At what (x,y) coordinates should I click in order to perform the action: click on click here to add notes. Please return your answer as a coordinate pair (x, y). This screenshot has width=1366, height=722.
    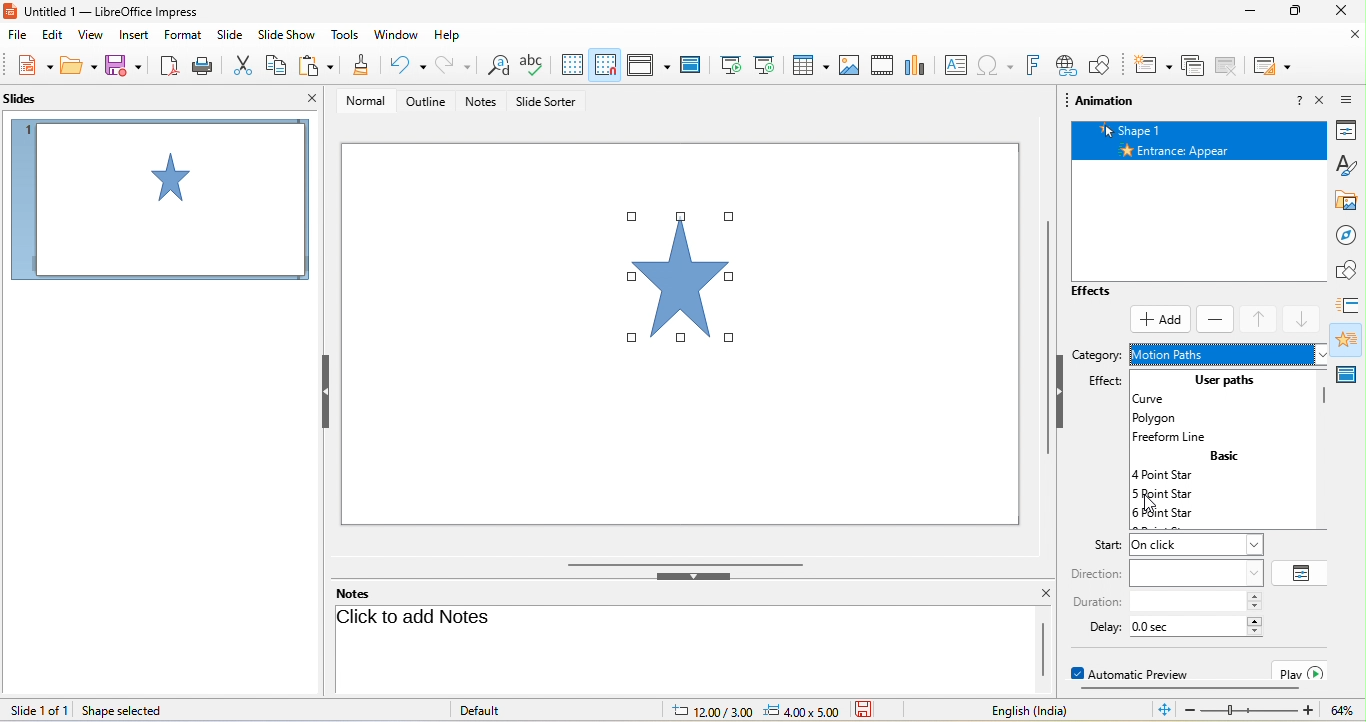
    Looking at the image, I should click on (680, 646).